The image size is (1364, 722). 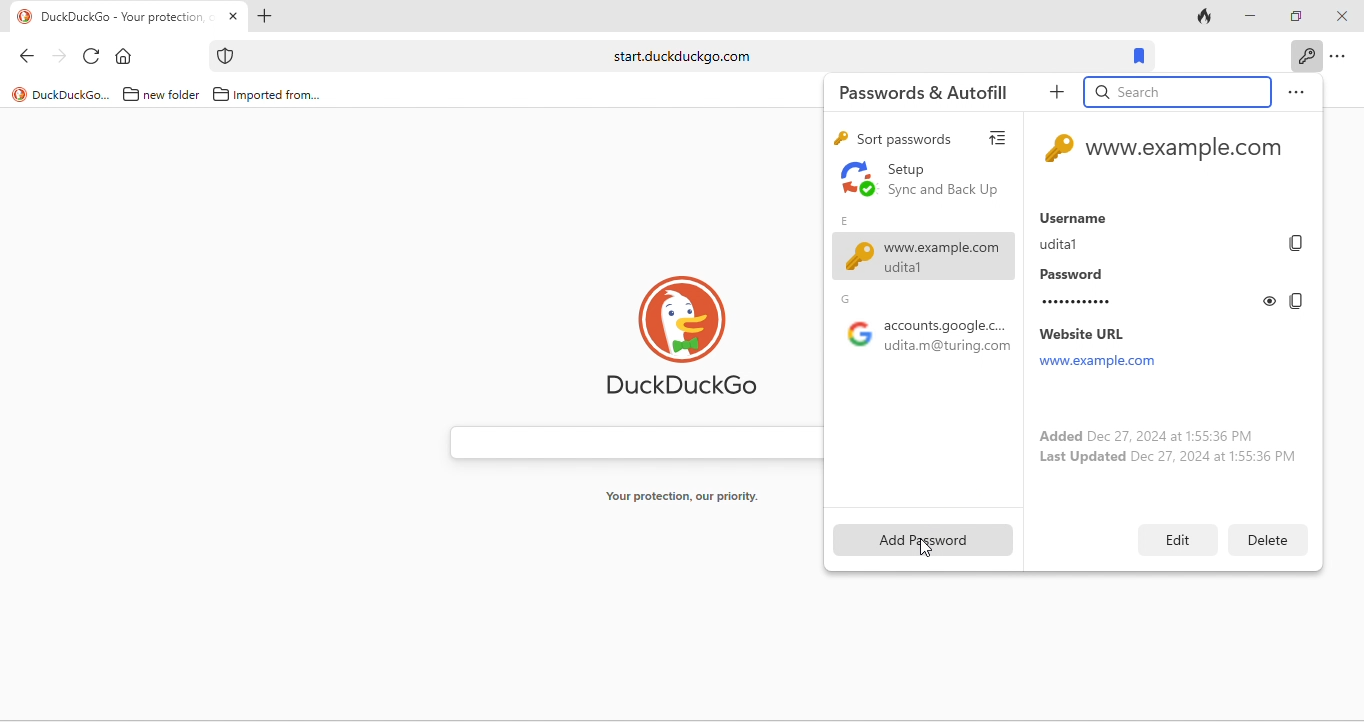 I want to click on view, so click(x=997, y=137).